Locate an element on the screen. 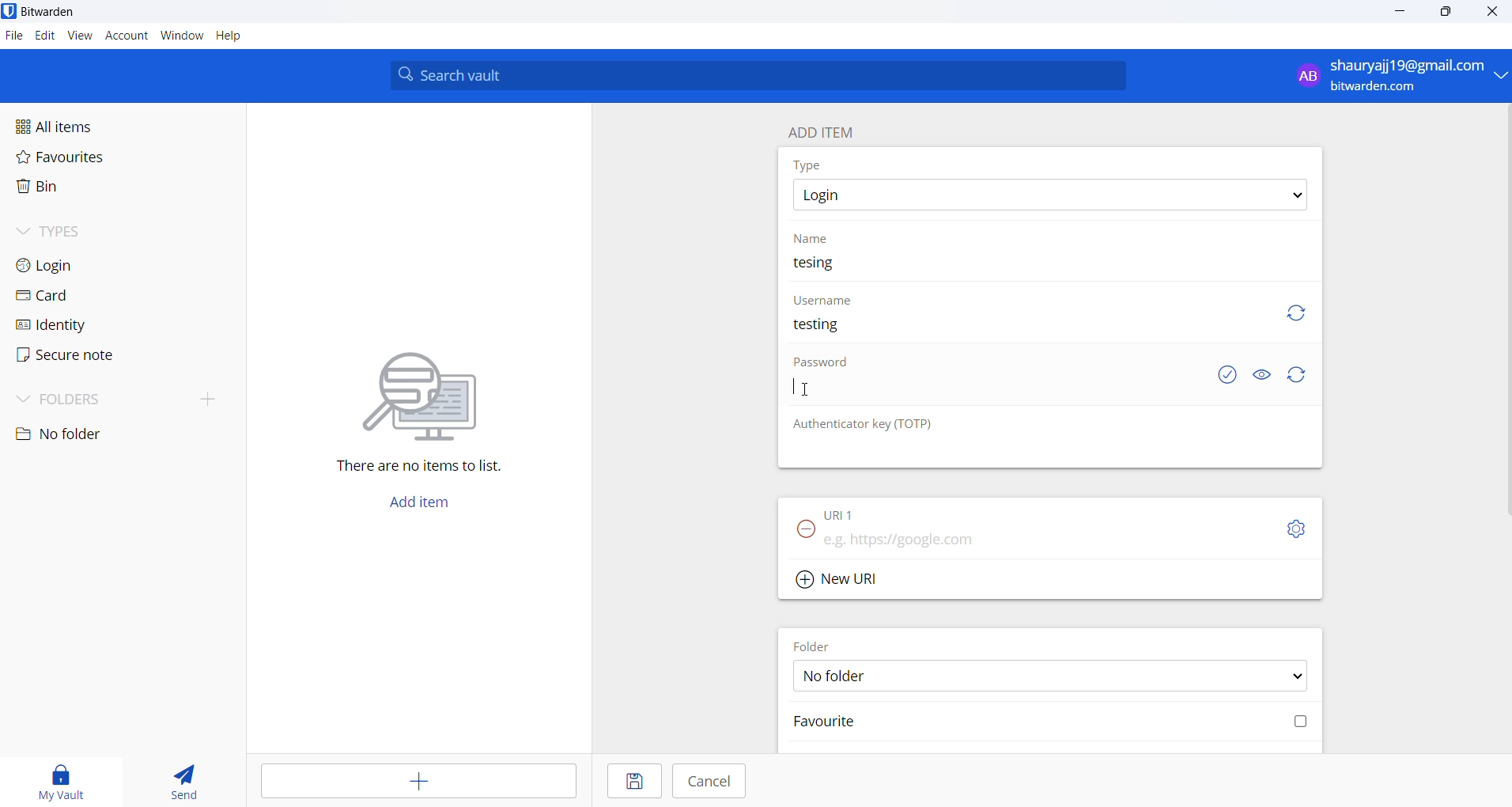  Folder options is located at coordinates (1051, 675).